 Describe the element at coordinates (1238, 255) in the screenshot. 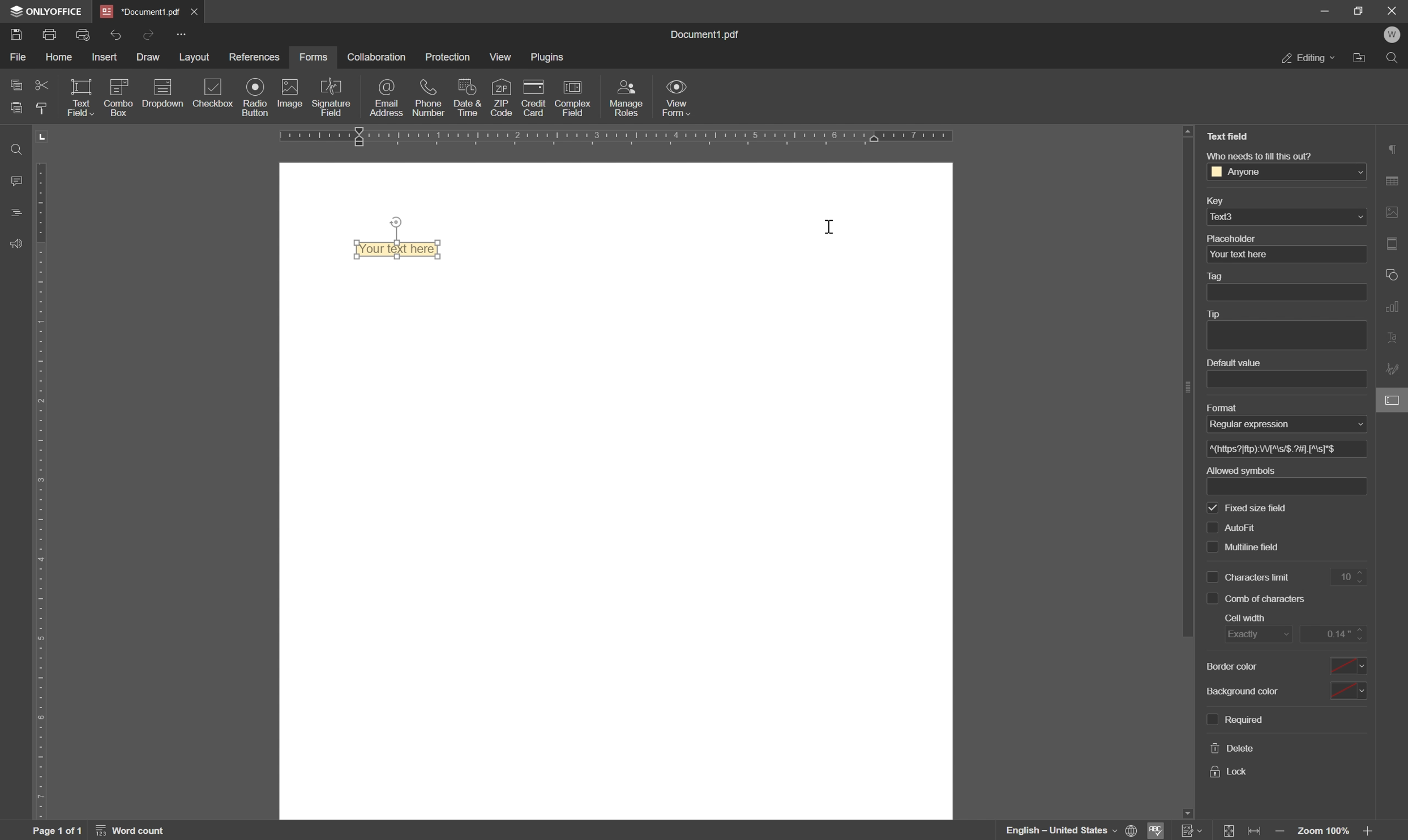

I see `your text here` at that location.